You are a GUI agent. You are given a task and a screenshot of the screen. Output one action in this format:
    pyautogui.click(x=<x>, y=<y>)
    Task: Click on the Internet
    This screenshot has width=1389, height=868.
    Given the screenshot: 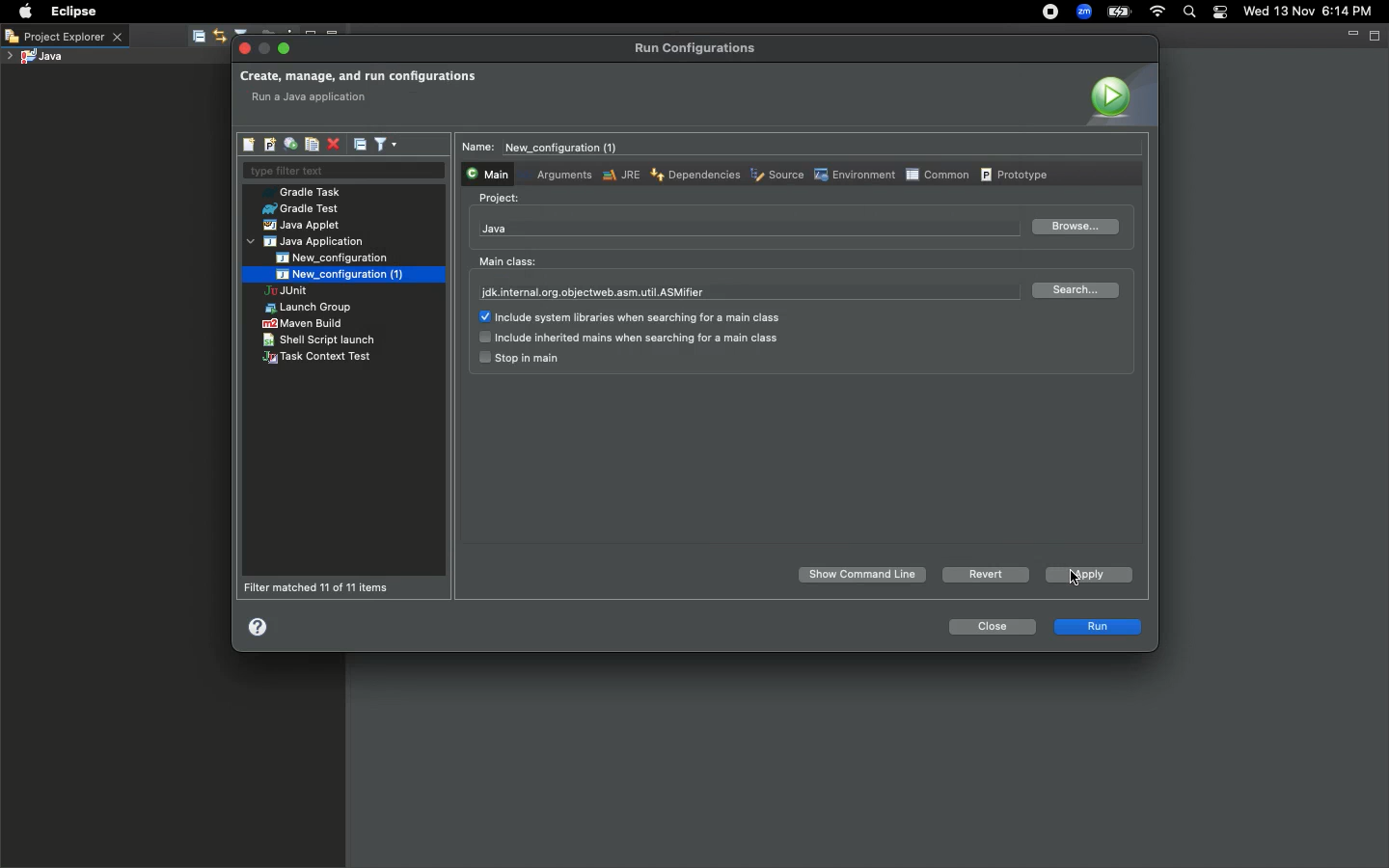 What is the action you would take?
    pyautogui.click(x=1156, y=14)
    